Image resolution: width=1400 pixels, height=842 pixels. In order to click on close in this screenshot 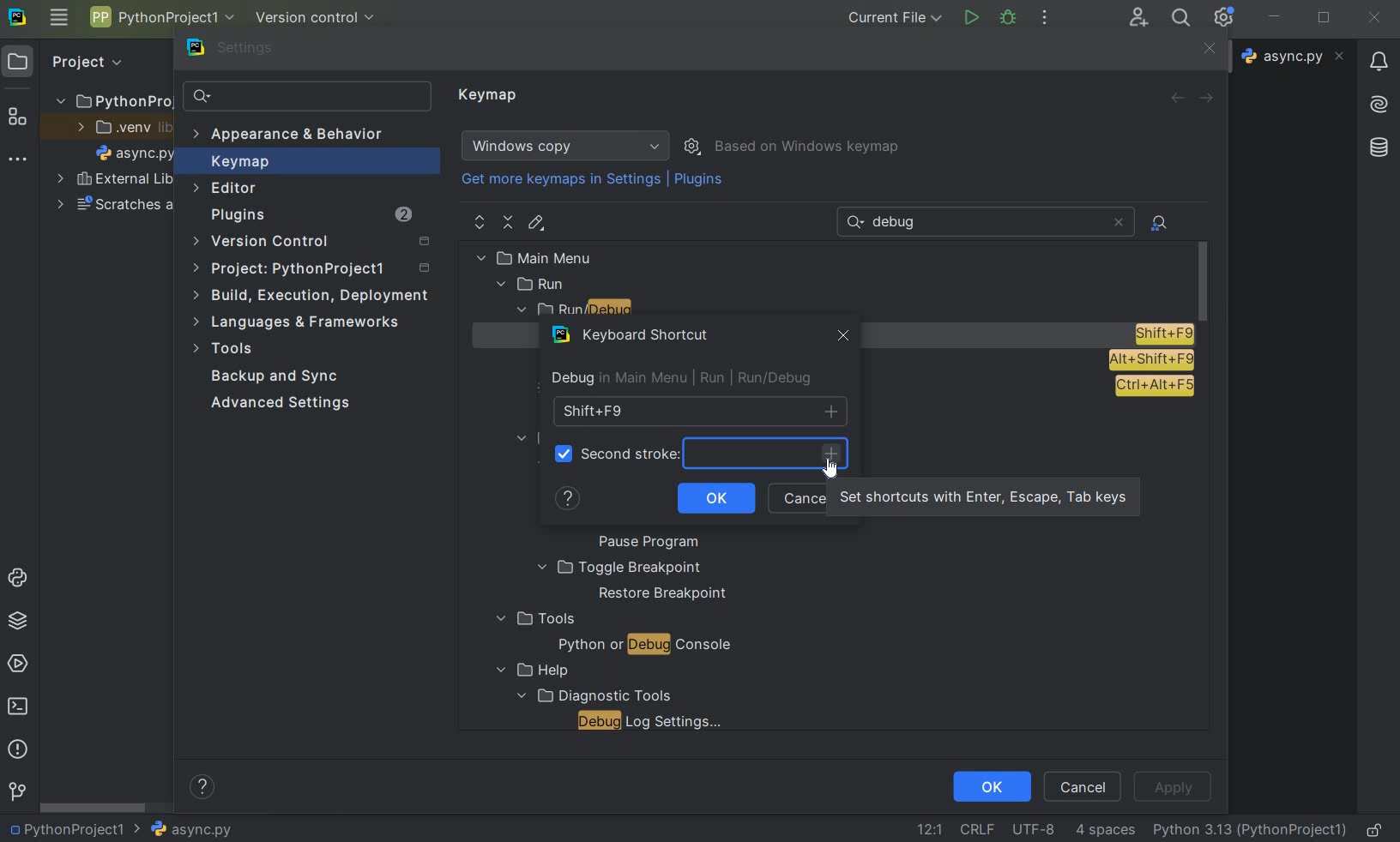, I will do `click(1118, 222)`.